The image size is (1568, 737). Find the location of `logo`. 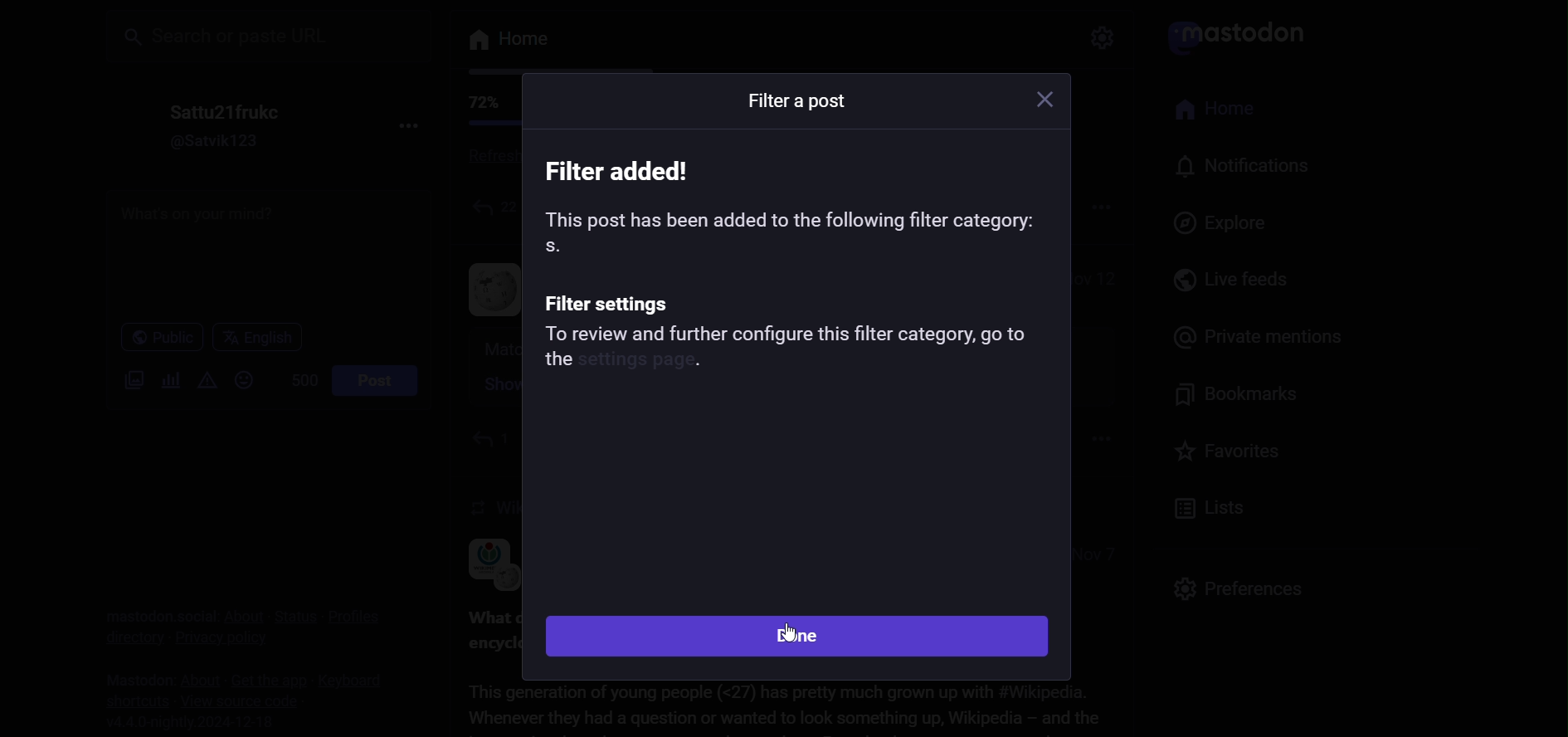

logo is located at coordinates (1244, 33).